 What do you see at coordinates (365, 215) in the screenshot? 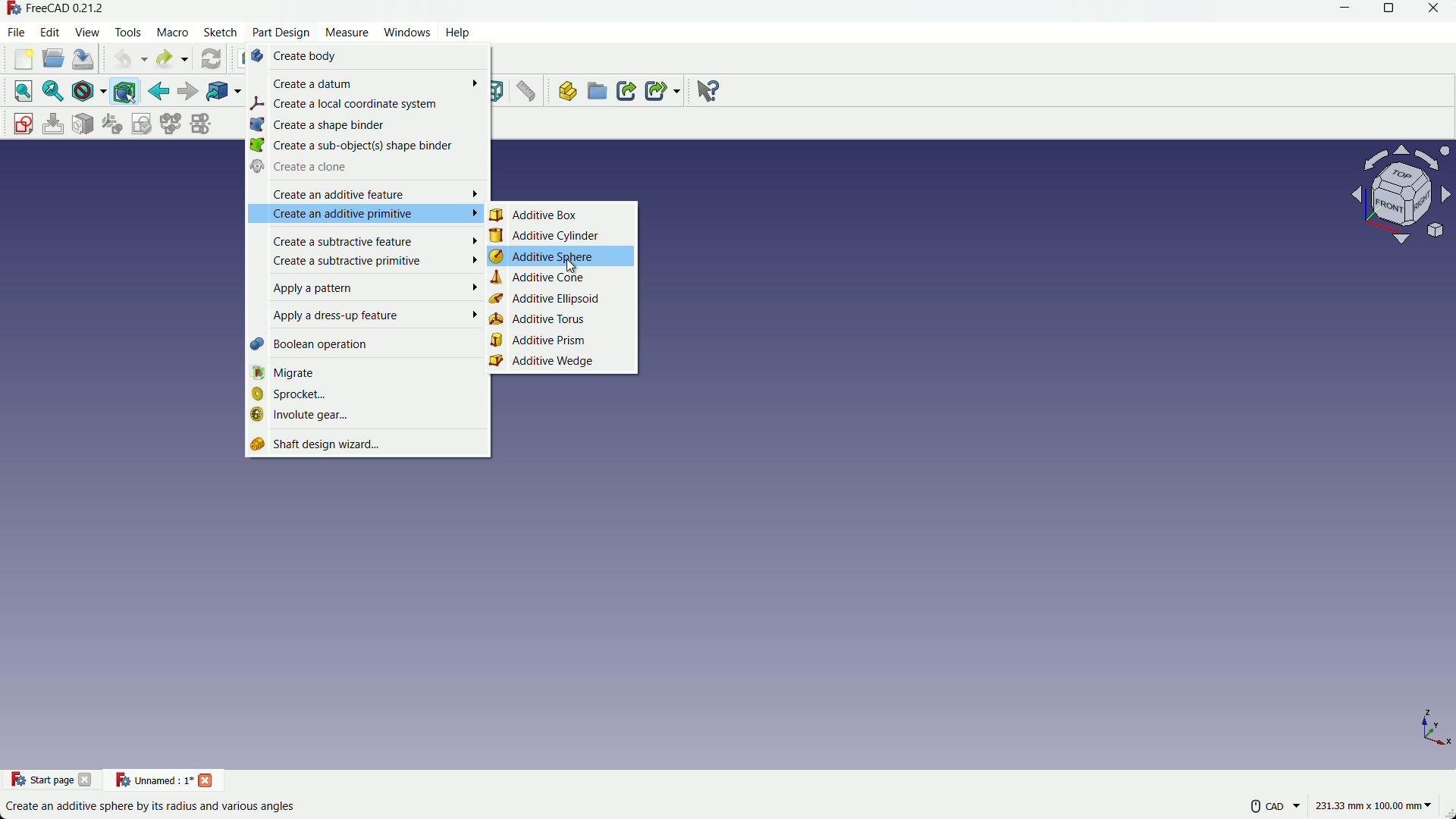
I see `create an additive primitive` at bounding box center [365, 215].